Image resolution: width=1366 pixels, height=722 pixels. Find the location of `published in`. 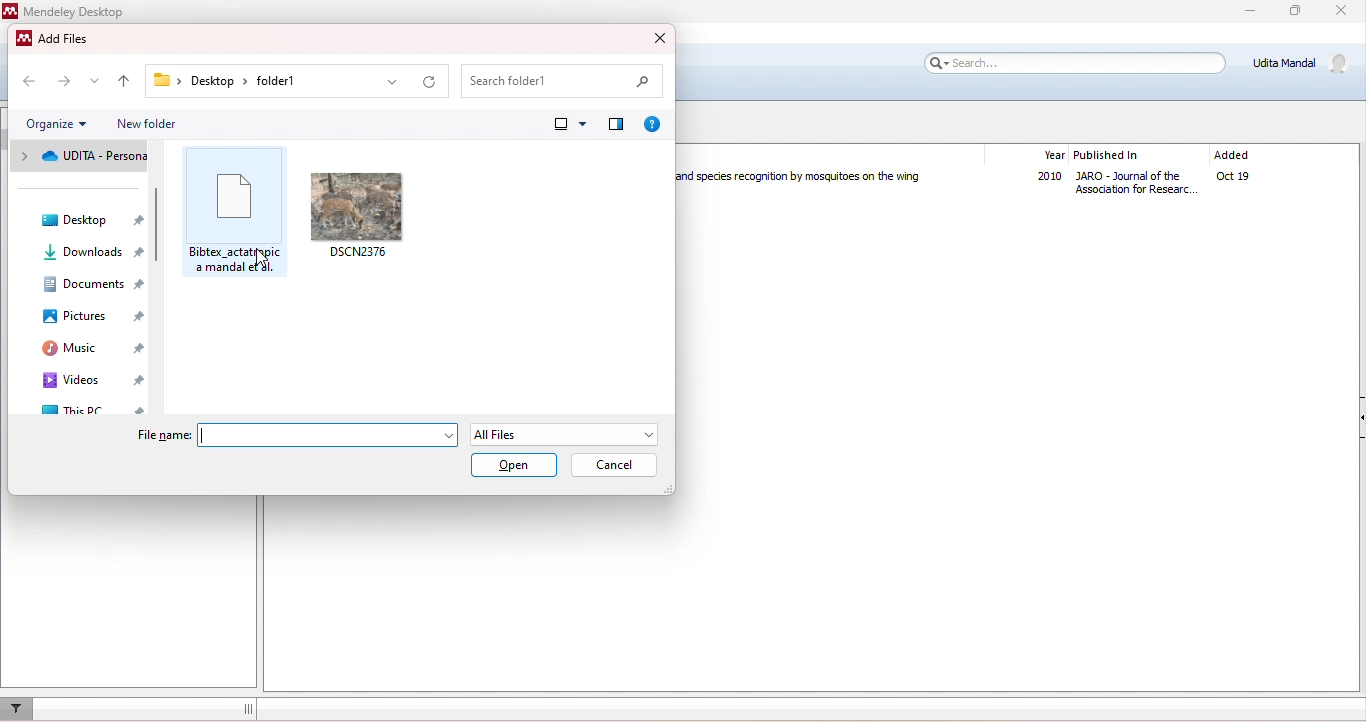

published in is located at coordinates (1112, 156).